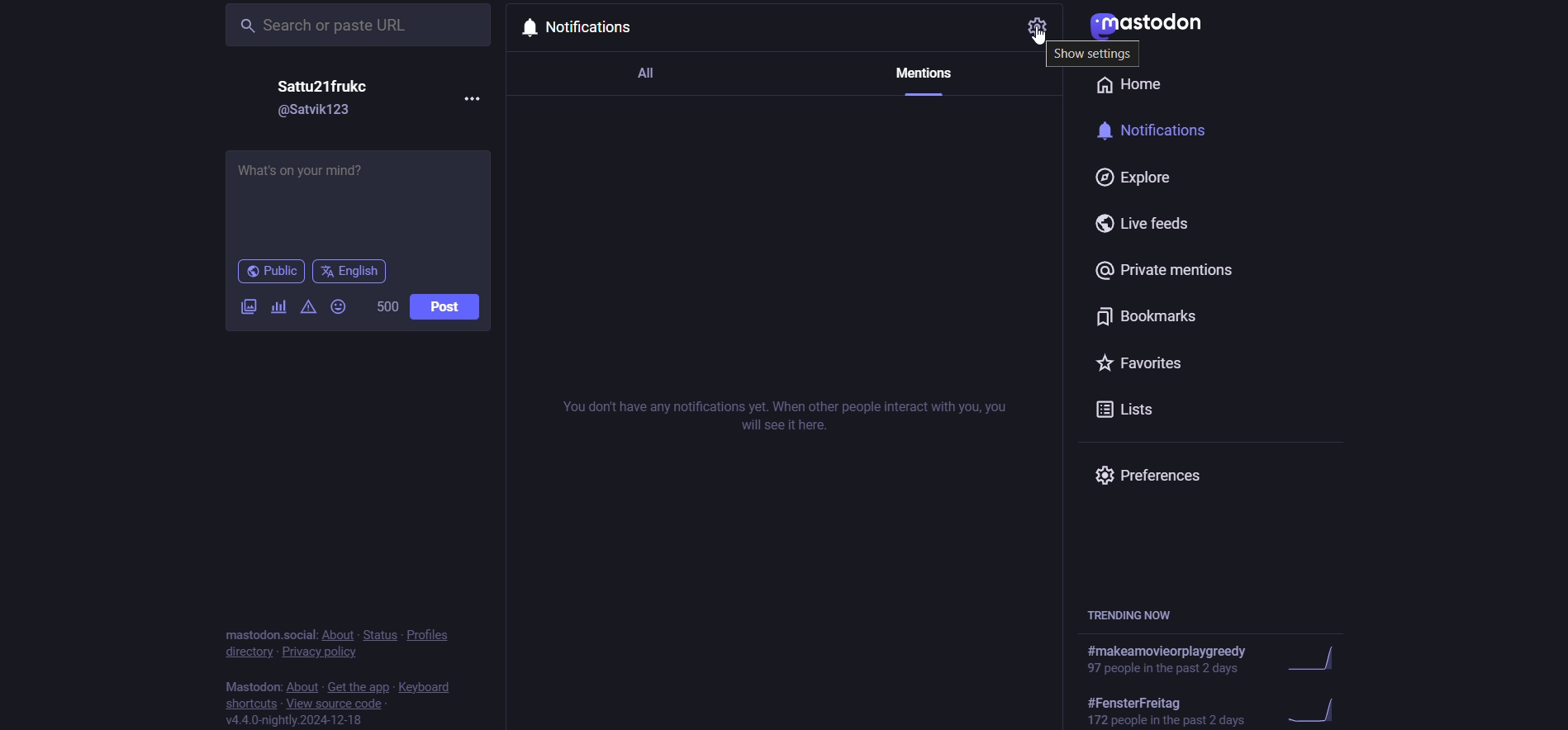 This screenshot has width=1568, height=730. Describe the element at coordinates (1168, 268) in the screenshot. I see `Private mentions` at that location.